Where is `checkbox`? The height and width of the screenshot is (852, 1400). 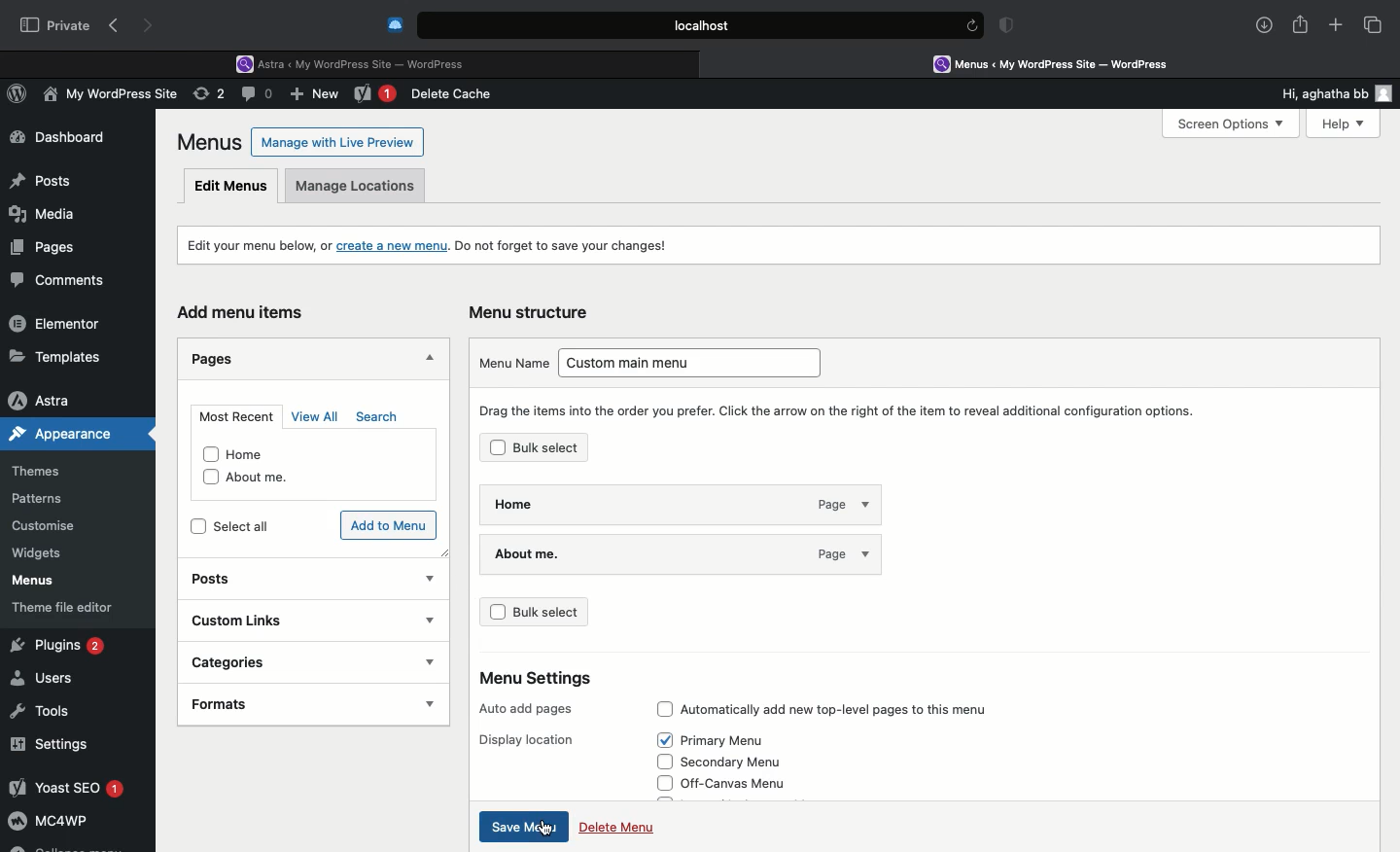 checkbox is located at coordinates (199, 525).